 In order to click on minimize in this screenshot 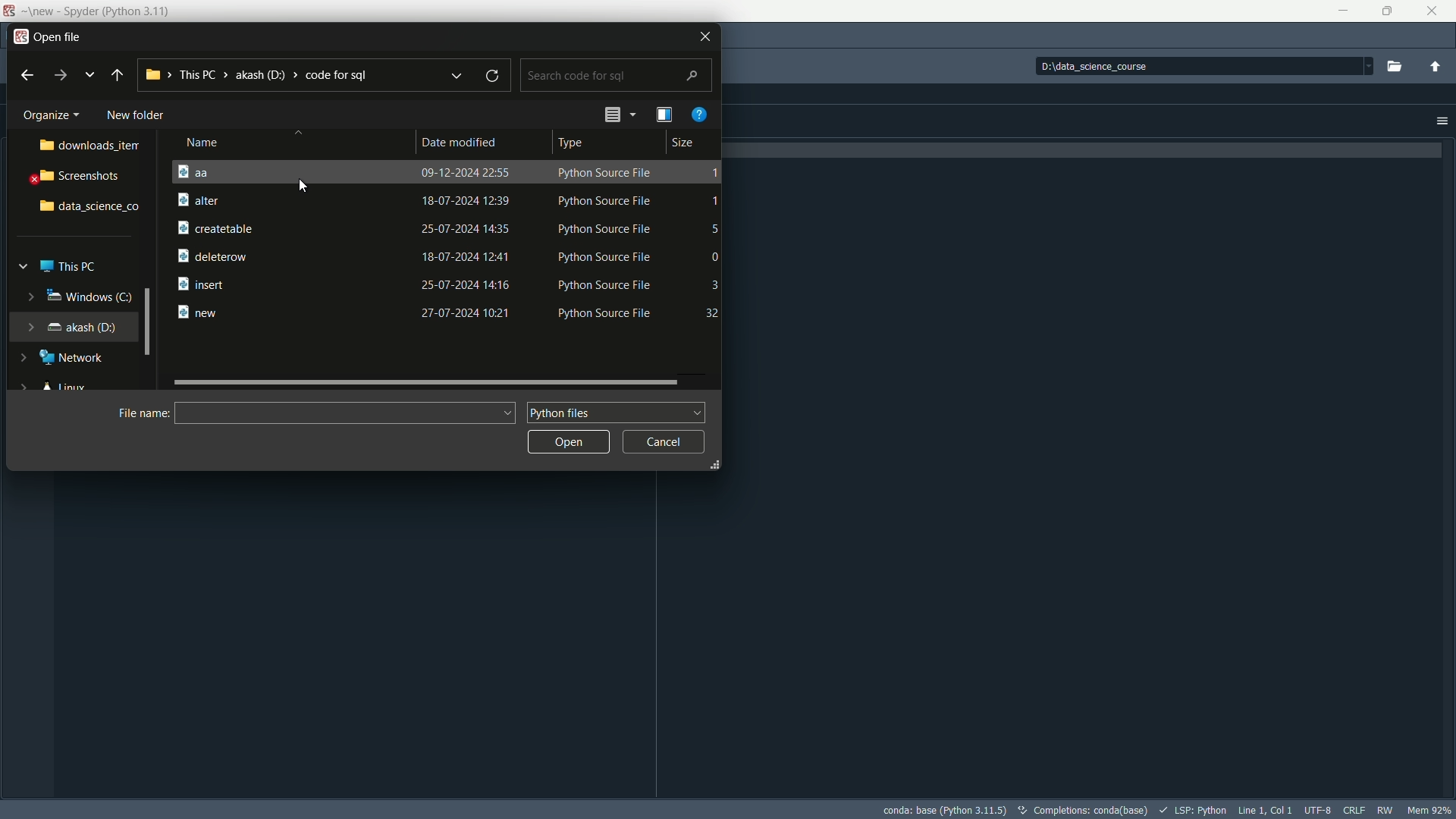, I will do `click(1345, 11)`.